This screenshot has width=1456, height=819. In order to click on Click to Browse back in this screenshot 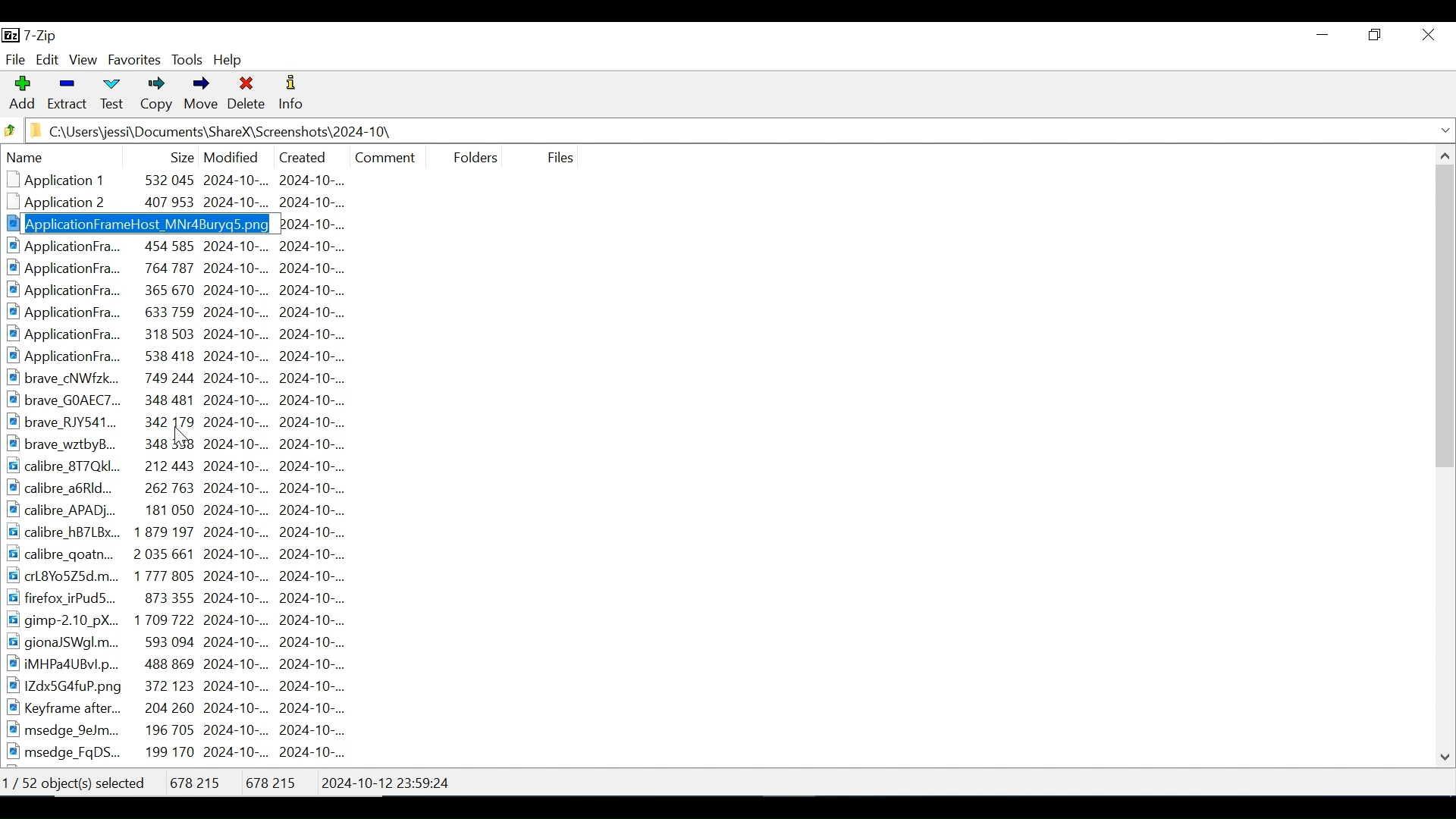, I will do `click(10, 130)`.